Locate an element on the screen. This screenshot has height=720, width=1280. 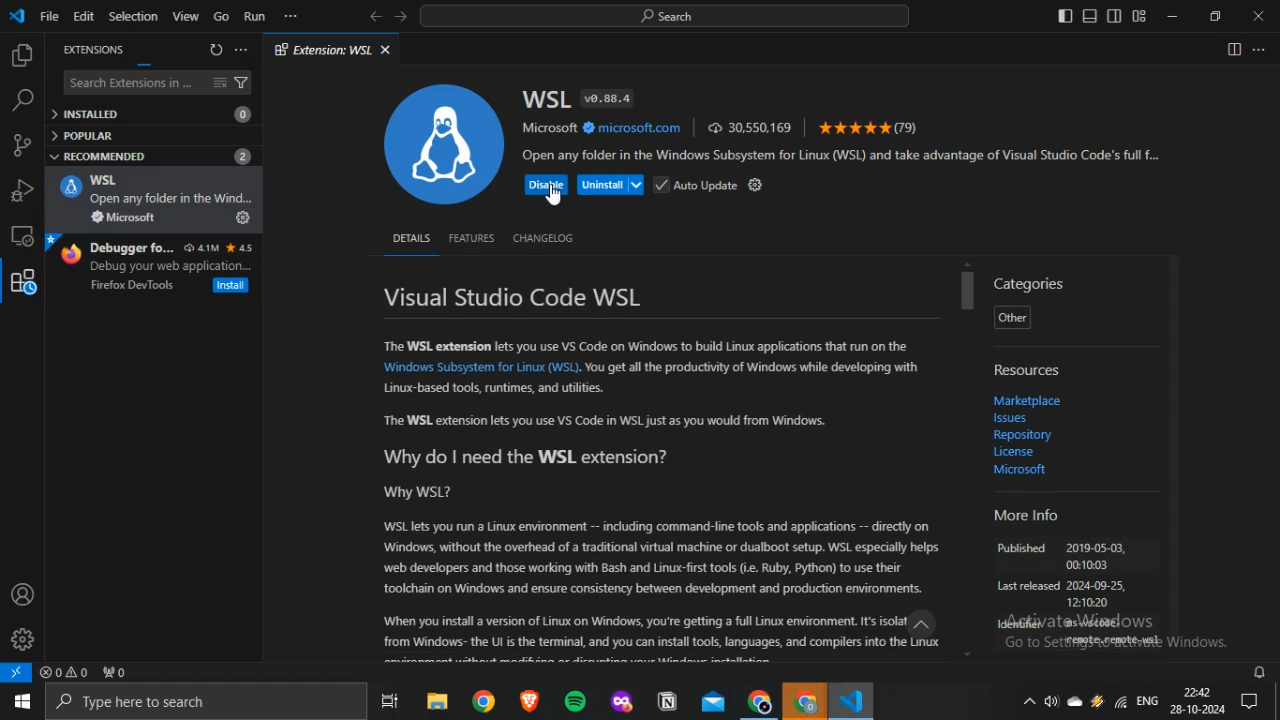
Auto Update is located at coordinates (697, 184).